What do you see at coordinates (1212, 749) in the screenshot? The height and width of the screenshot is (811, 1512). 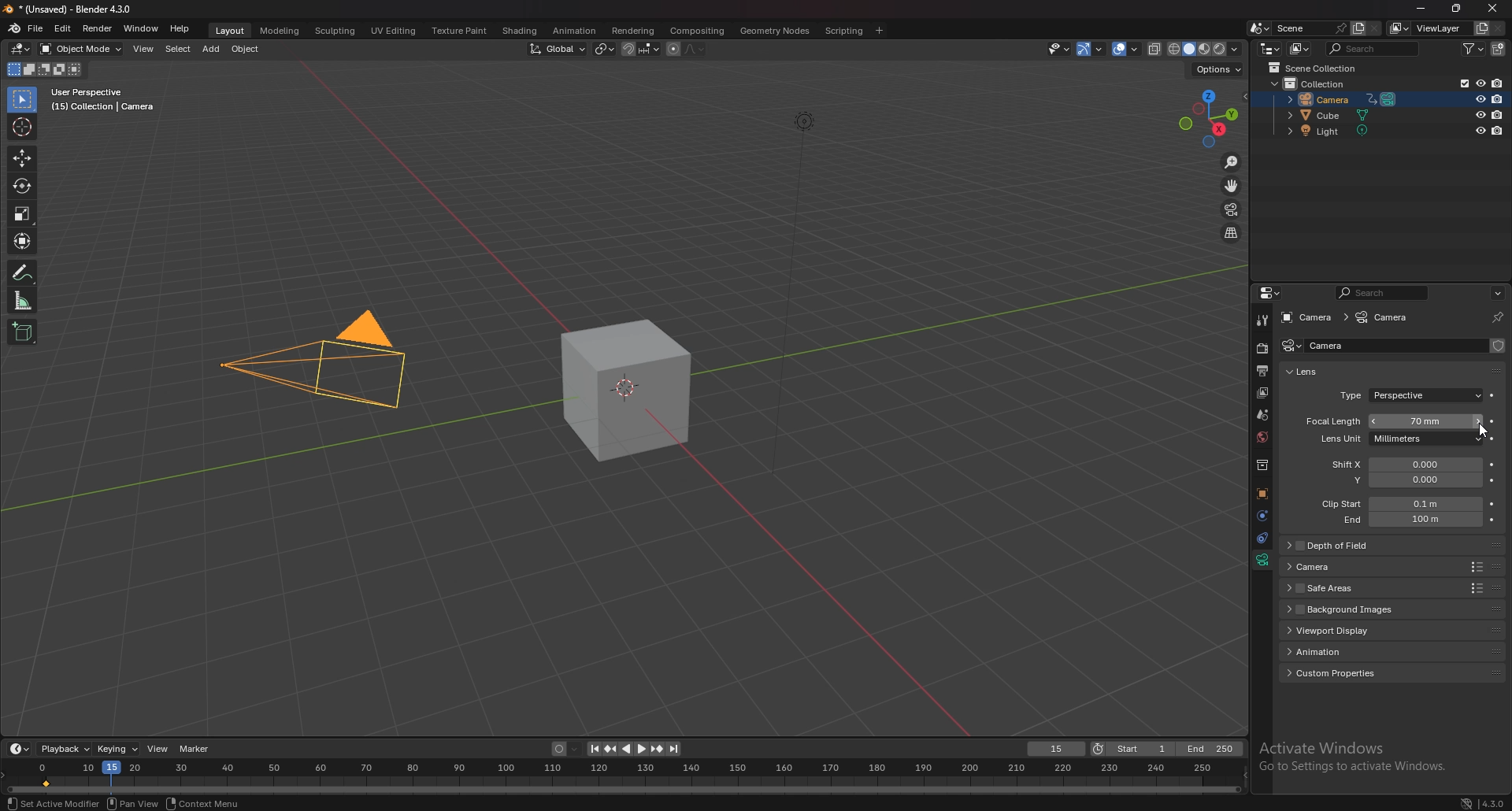 I see `end` at bounding box center [1212, 749].